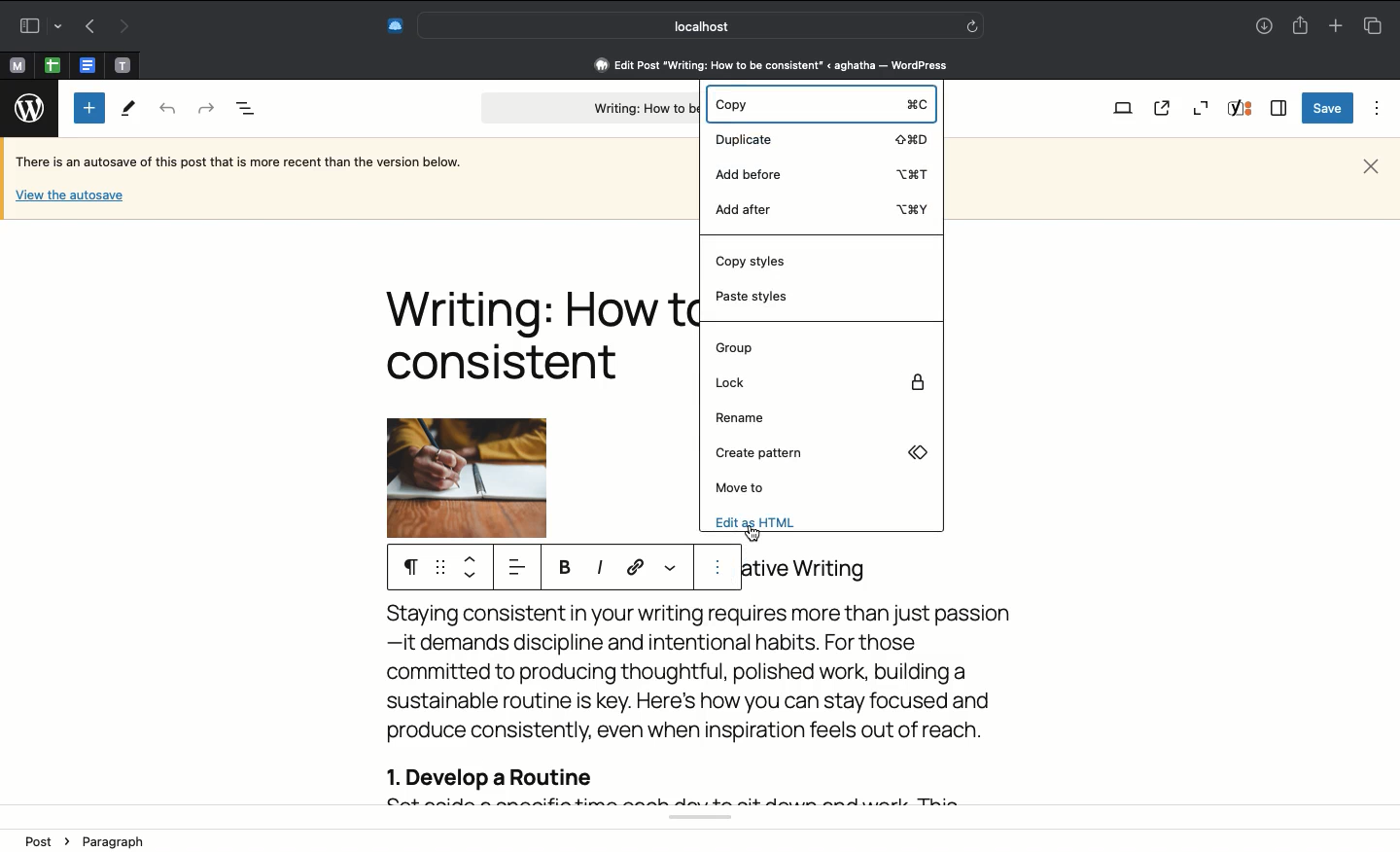  Describe the element at coordinates (405, 566) in the screenshot. I see `Paragraph` at that location.